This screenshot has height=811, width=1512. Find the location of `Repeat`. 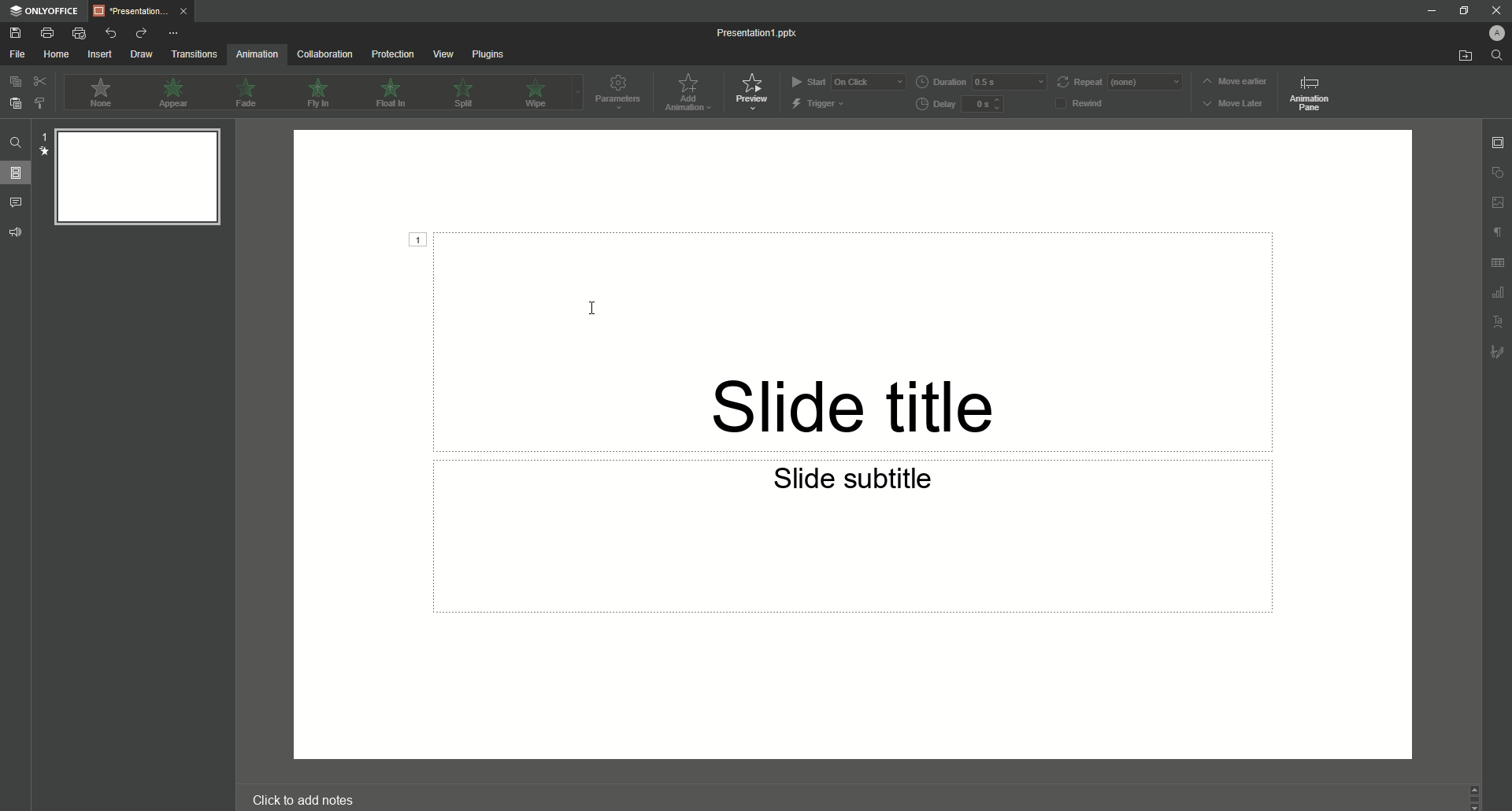

Repeat is located at coordinates (1118, 79).